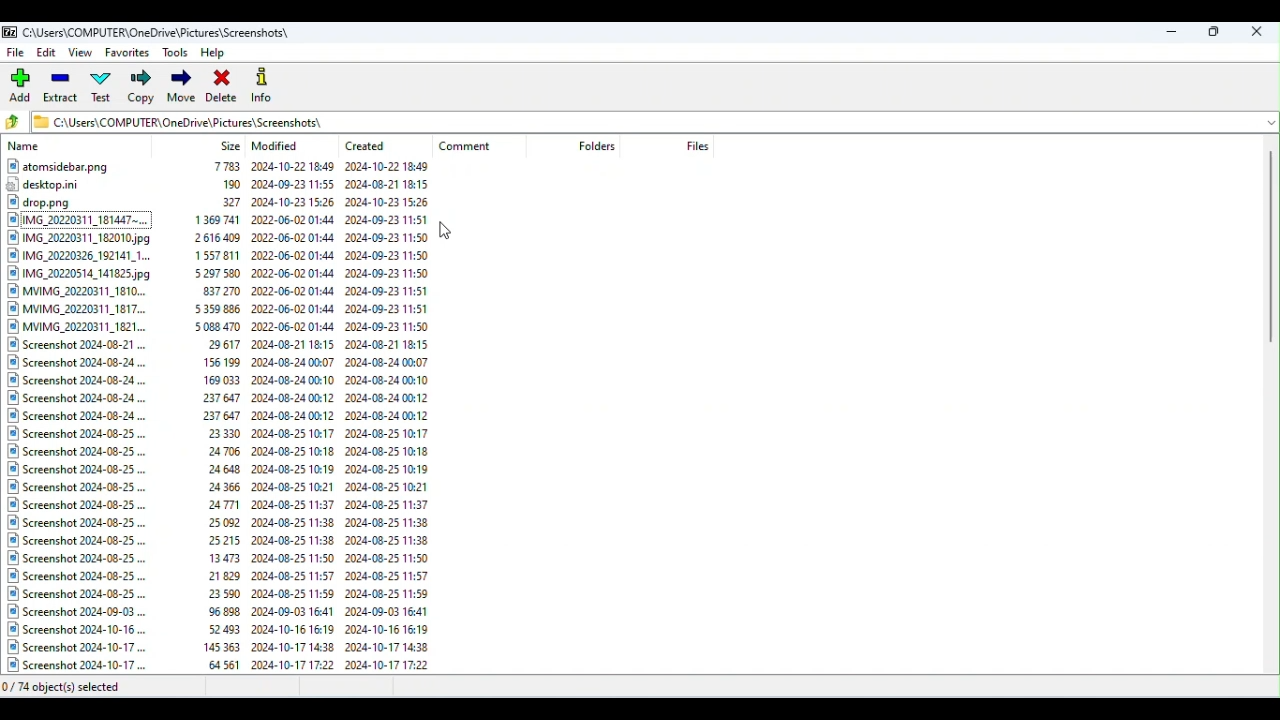 This screenshot has height=720, width=1280. What do you see at coordinates (142, 88) in the screenshot?
I see `Copy` at bounding box center [142, 88].